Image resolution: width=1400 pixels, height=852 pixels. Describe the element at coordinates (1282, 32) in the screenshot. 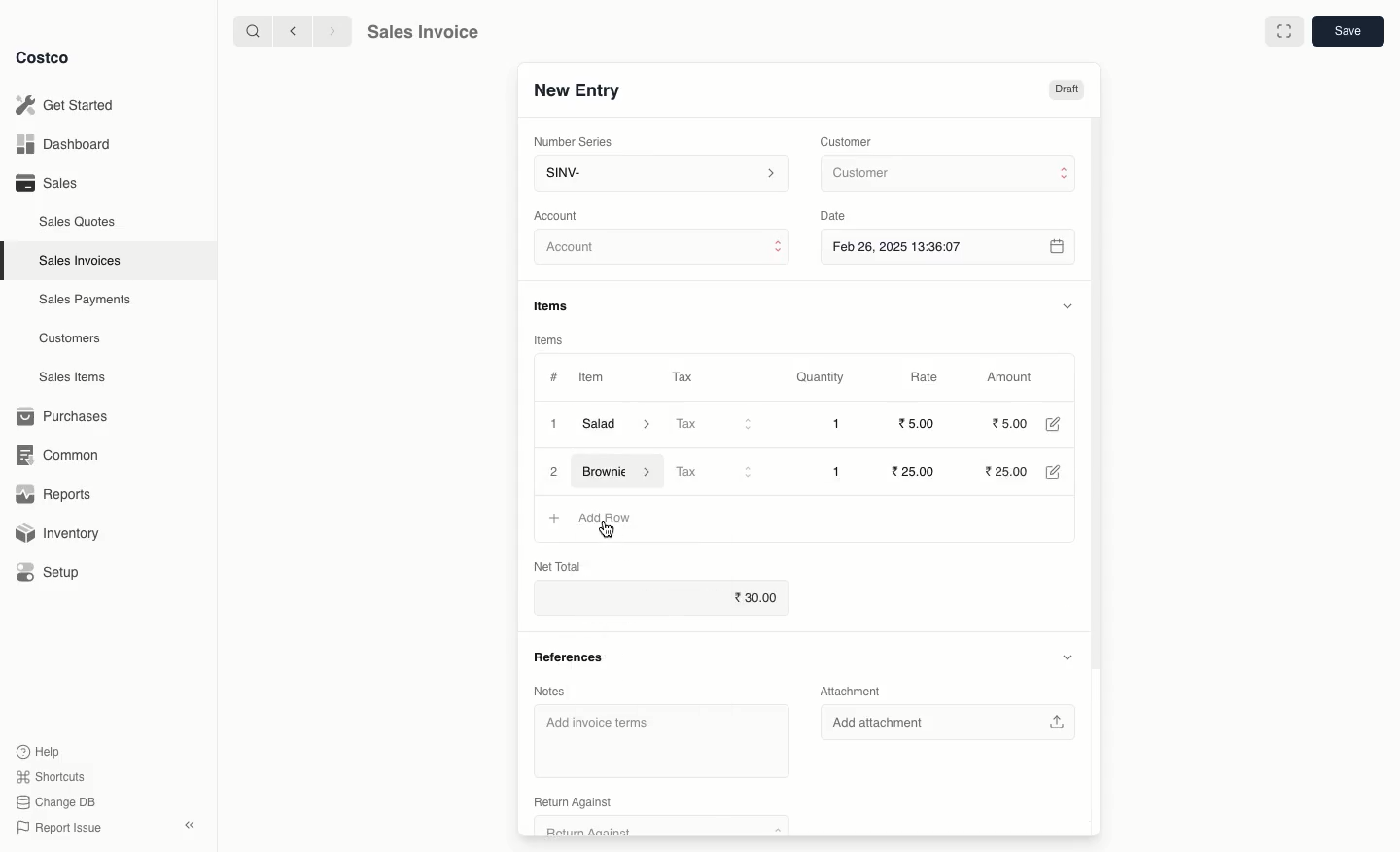

I see `Full width toggle` at that location.